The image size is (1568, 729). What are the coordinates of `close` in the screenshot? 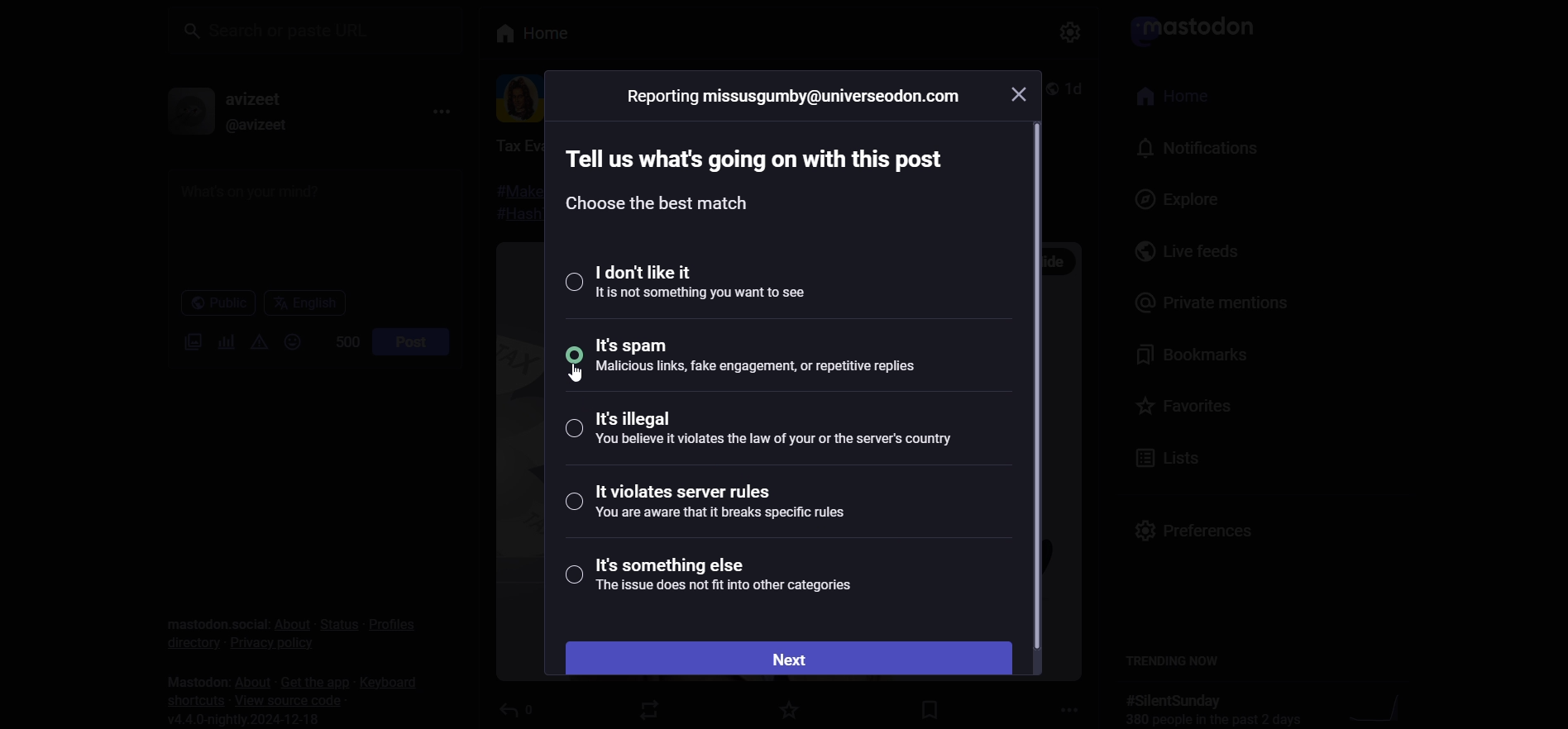 It's located at (1021, 93).